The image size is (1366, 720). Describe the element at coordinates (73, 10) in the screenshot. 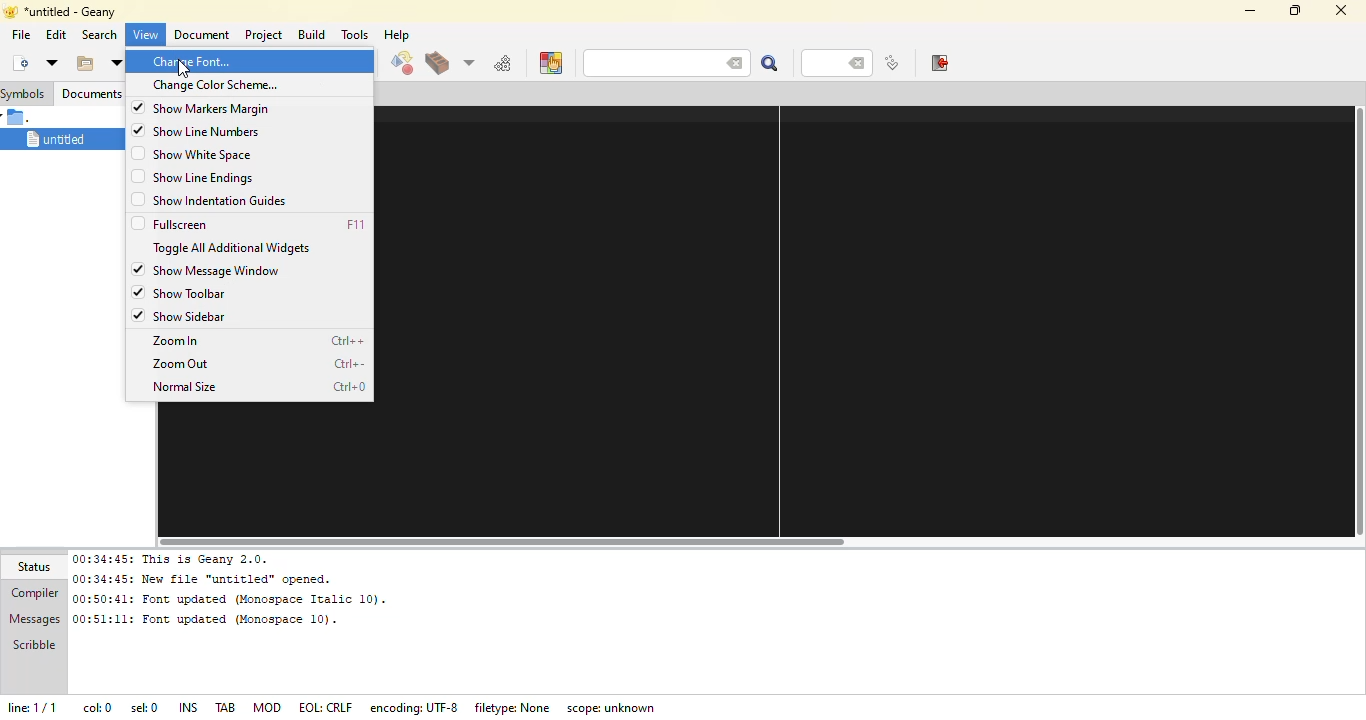

I see `*untitled - geany` at that location.